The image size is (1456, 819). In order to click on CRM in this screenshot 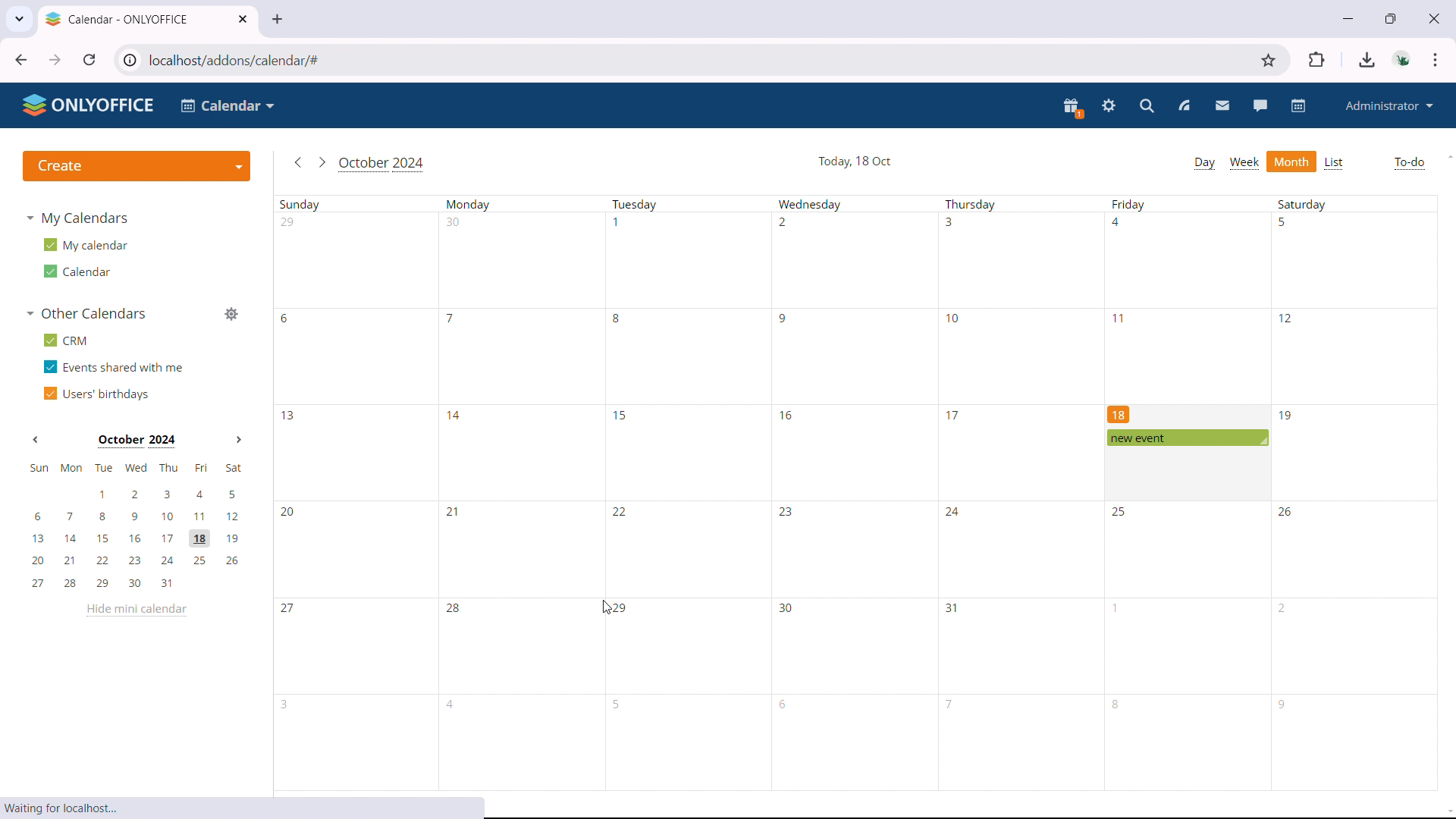, I will do `click(68, 342)`.